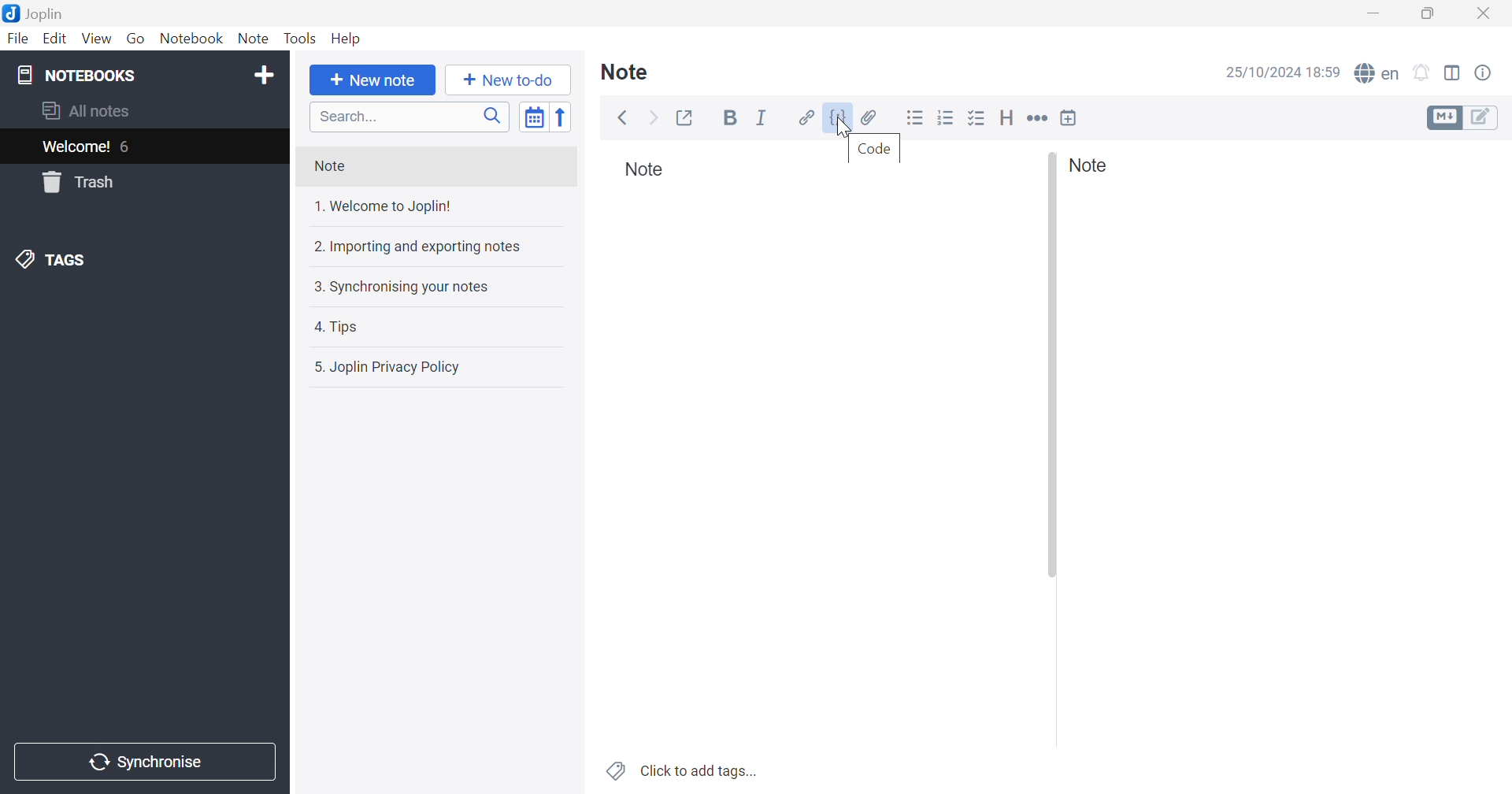  Describe the element at coordinates (622, 72) in the screenshot. I see `Note` at that location.